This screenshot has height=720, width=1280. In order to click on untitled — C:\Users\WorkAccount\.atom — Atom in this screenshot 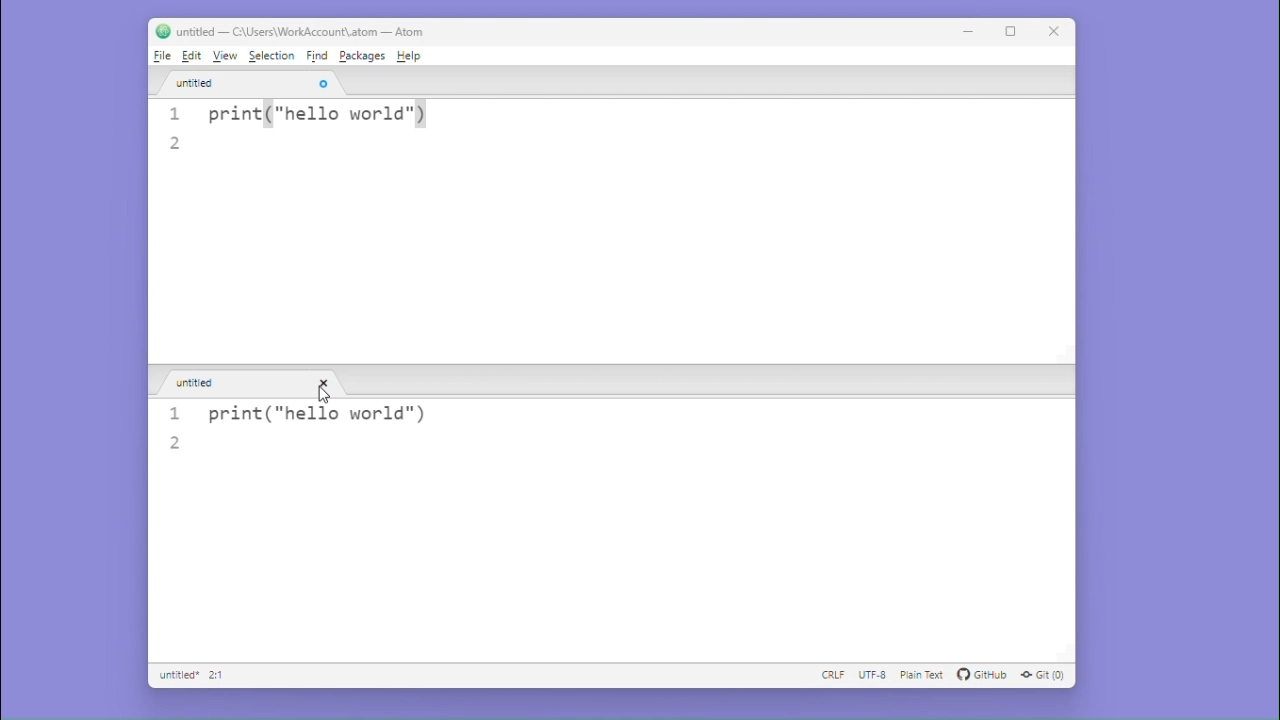, I will do `click(296, 30)`.